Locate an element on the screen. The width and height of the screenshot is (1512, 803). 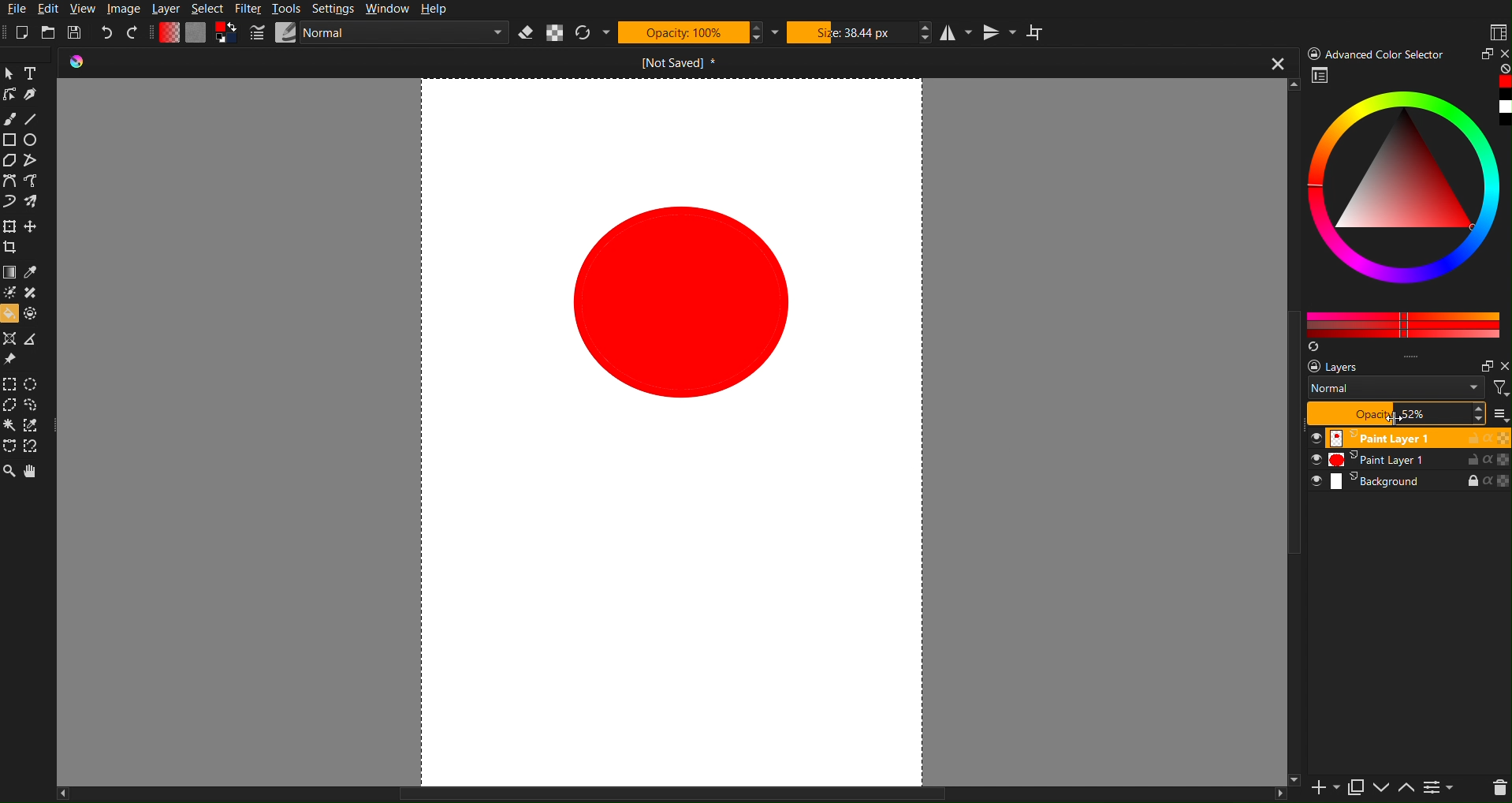
Opactity is located at coordinates (699, 32).